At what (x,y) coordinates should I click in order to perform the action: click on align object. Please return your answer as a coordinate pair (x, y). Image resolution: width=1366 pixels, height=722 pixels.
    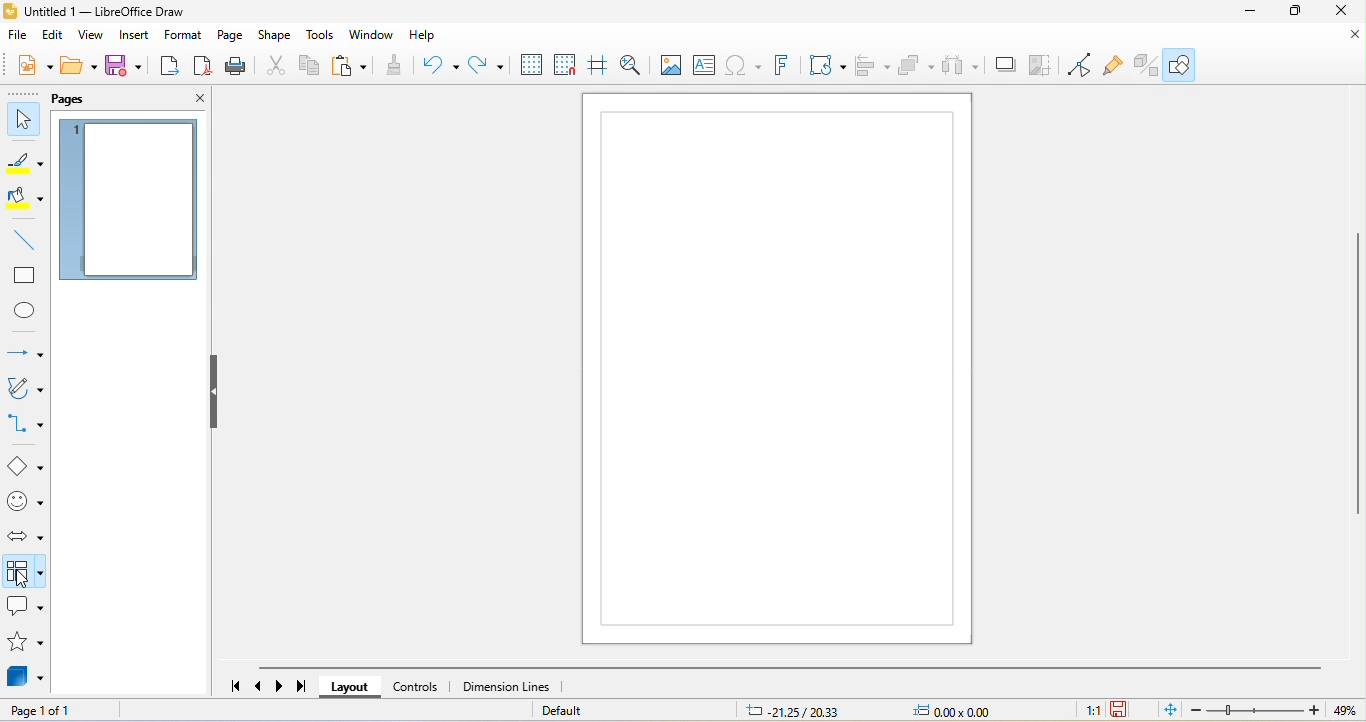
    Looking at the image, I should click on (870, 66).